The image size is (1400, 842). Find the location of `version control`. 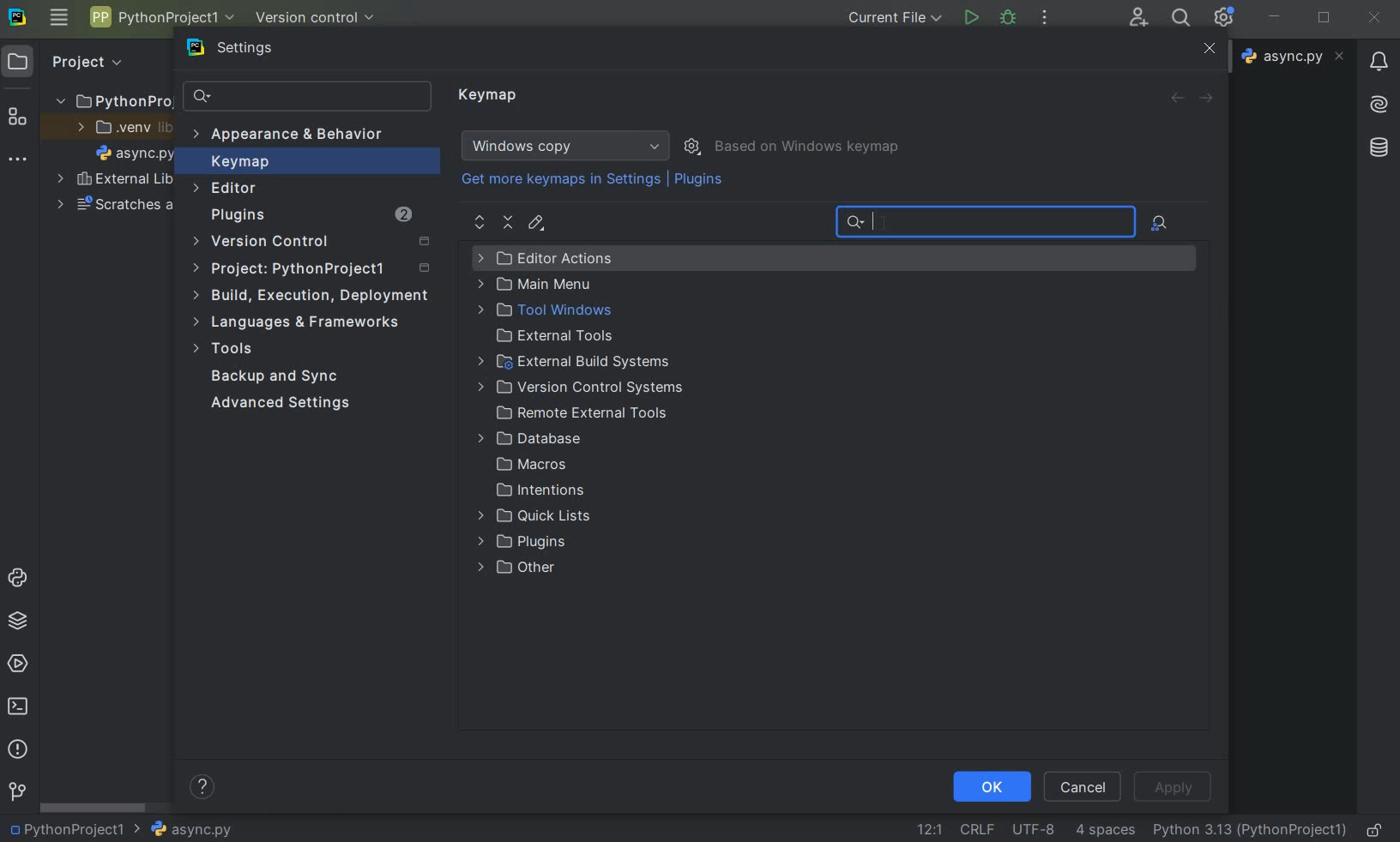

version control is located at coordinates (17, 792).